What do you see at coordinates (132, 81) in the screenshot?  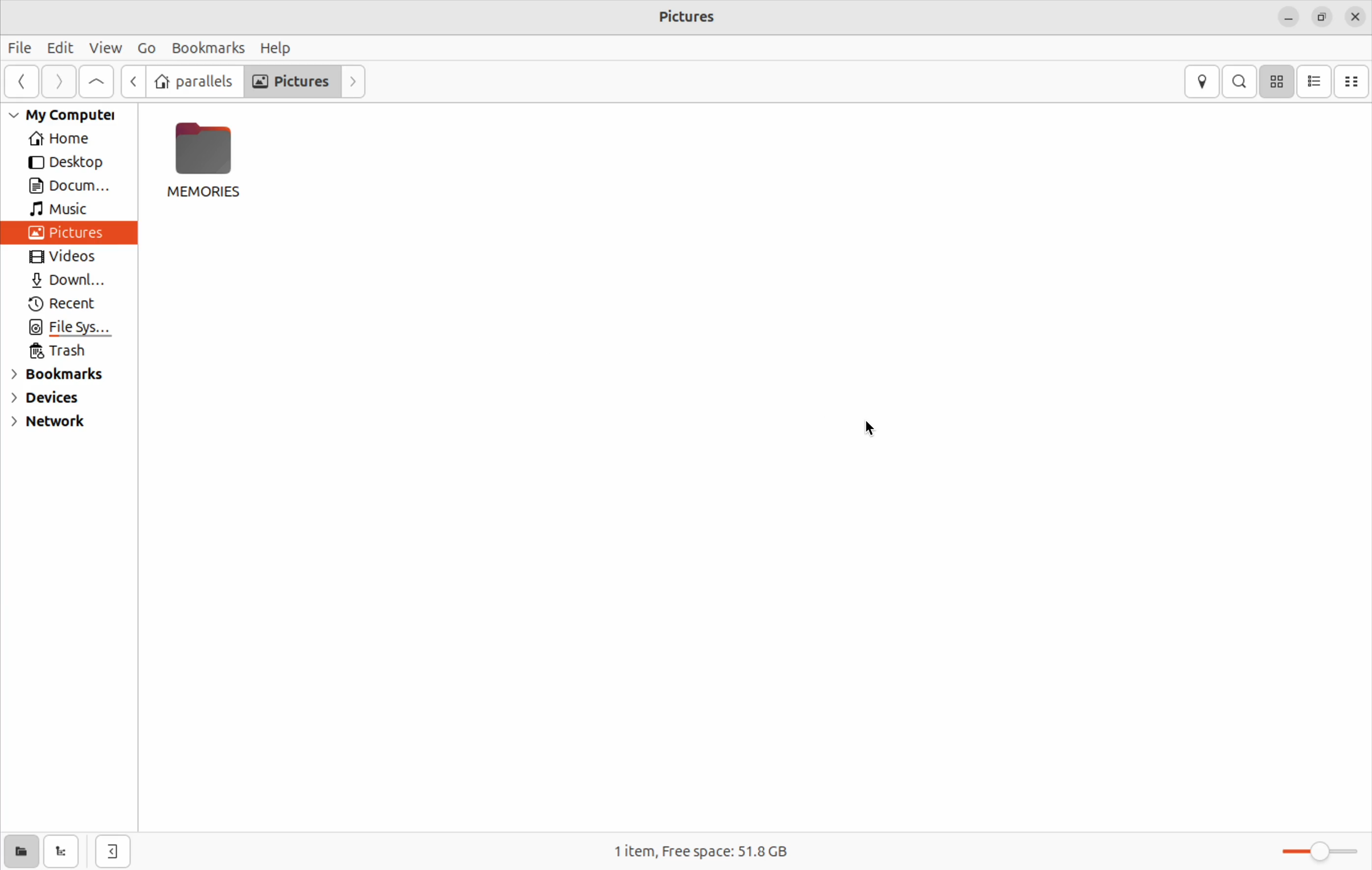 I see `Go back` at bounding box center [132, 81].